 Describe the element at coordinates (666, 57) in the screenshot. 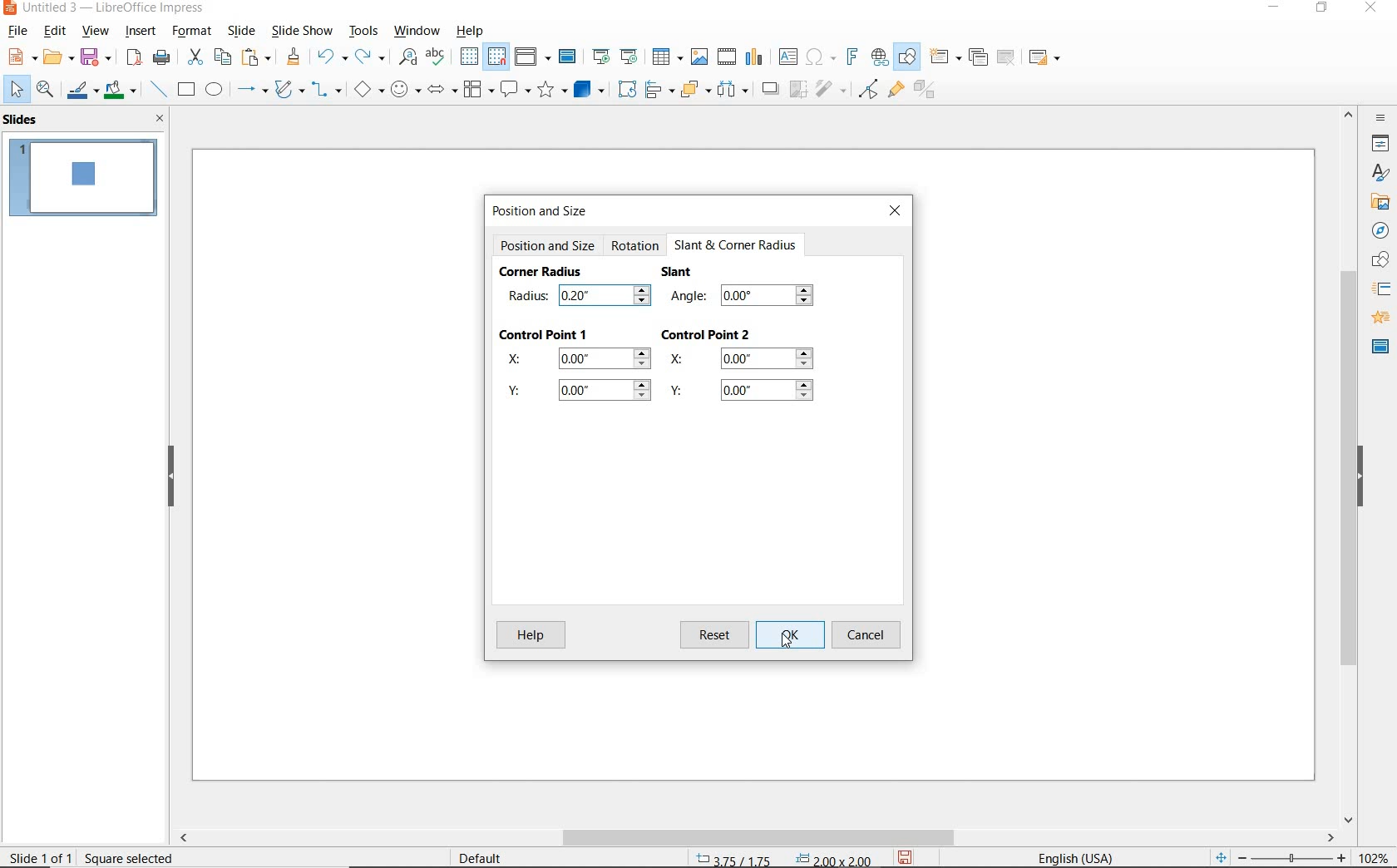

I see `table` at that location.